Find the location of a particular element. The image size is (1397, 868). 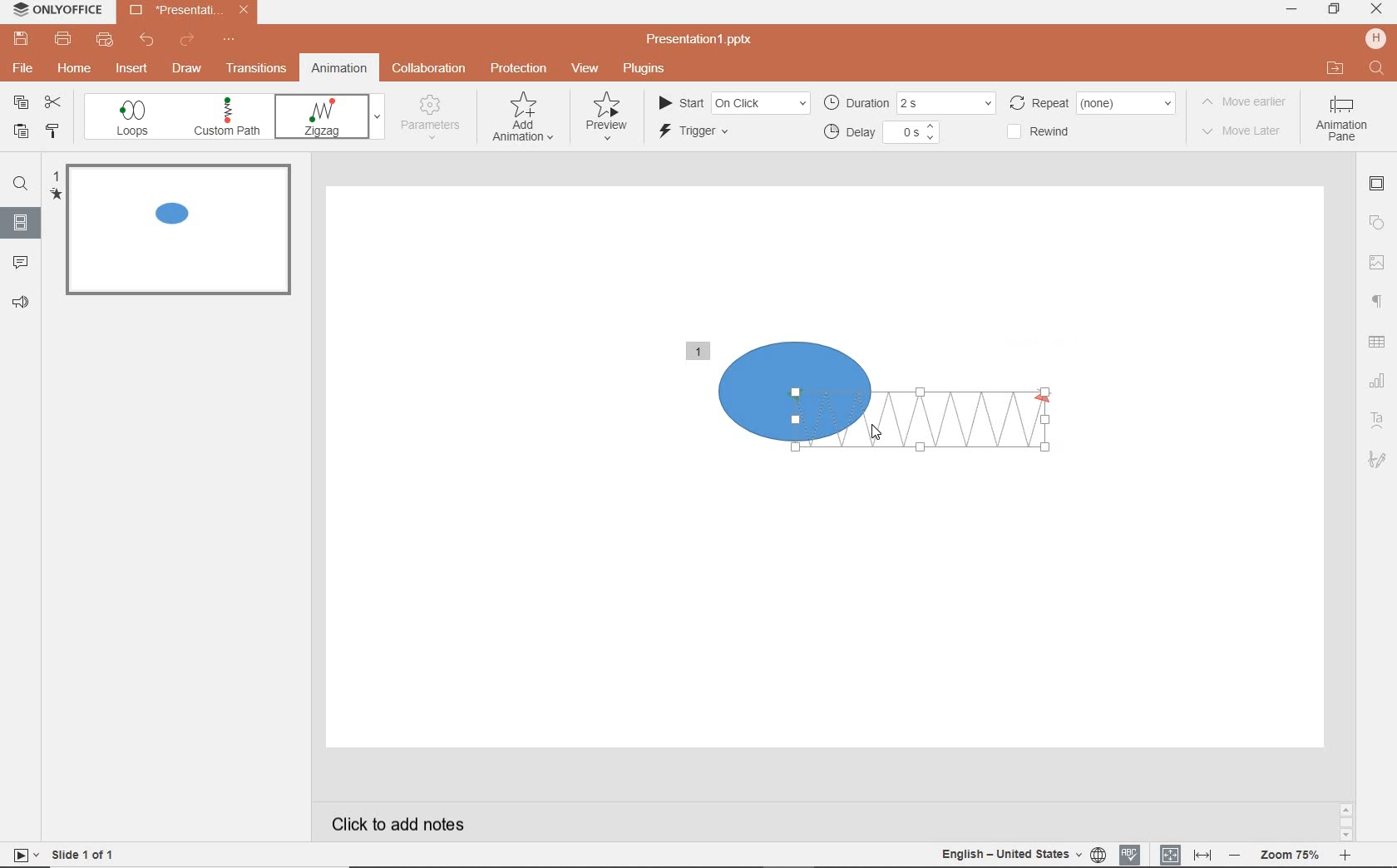

slide is located at coordinates (21, 224).